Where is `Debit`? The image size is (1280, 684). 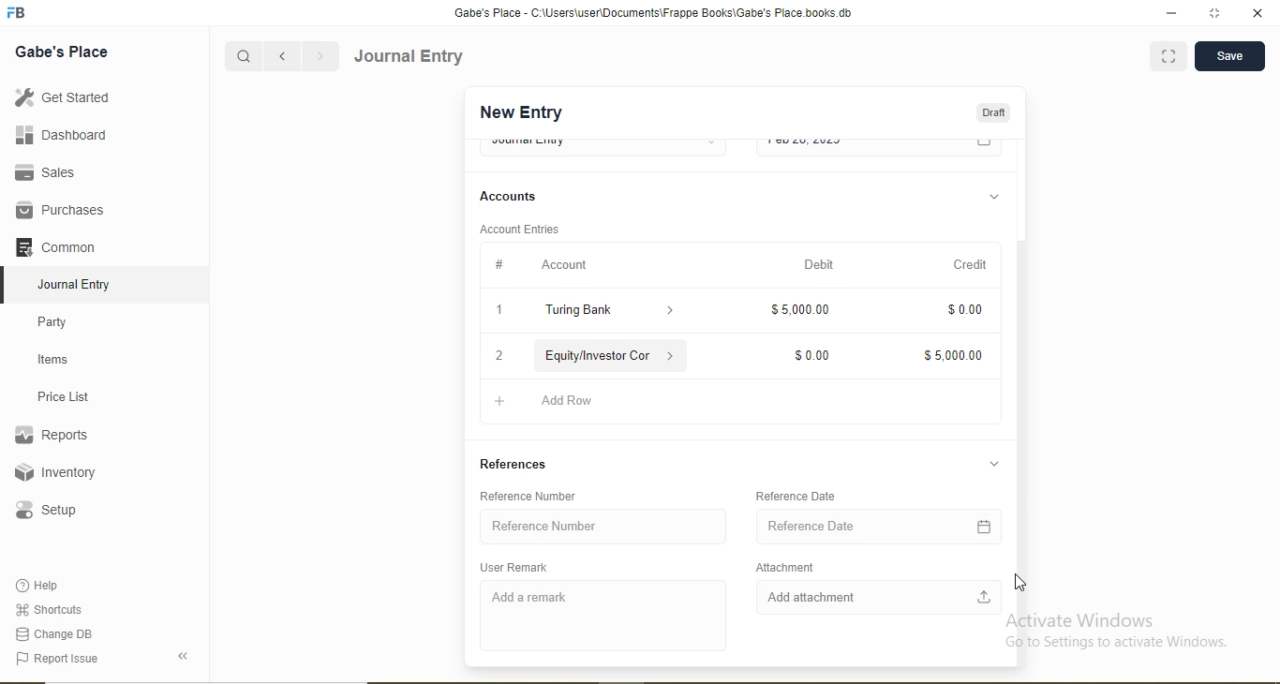
Debit is located at coordinates (820, 263).